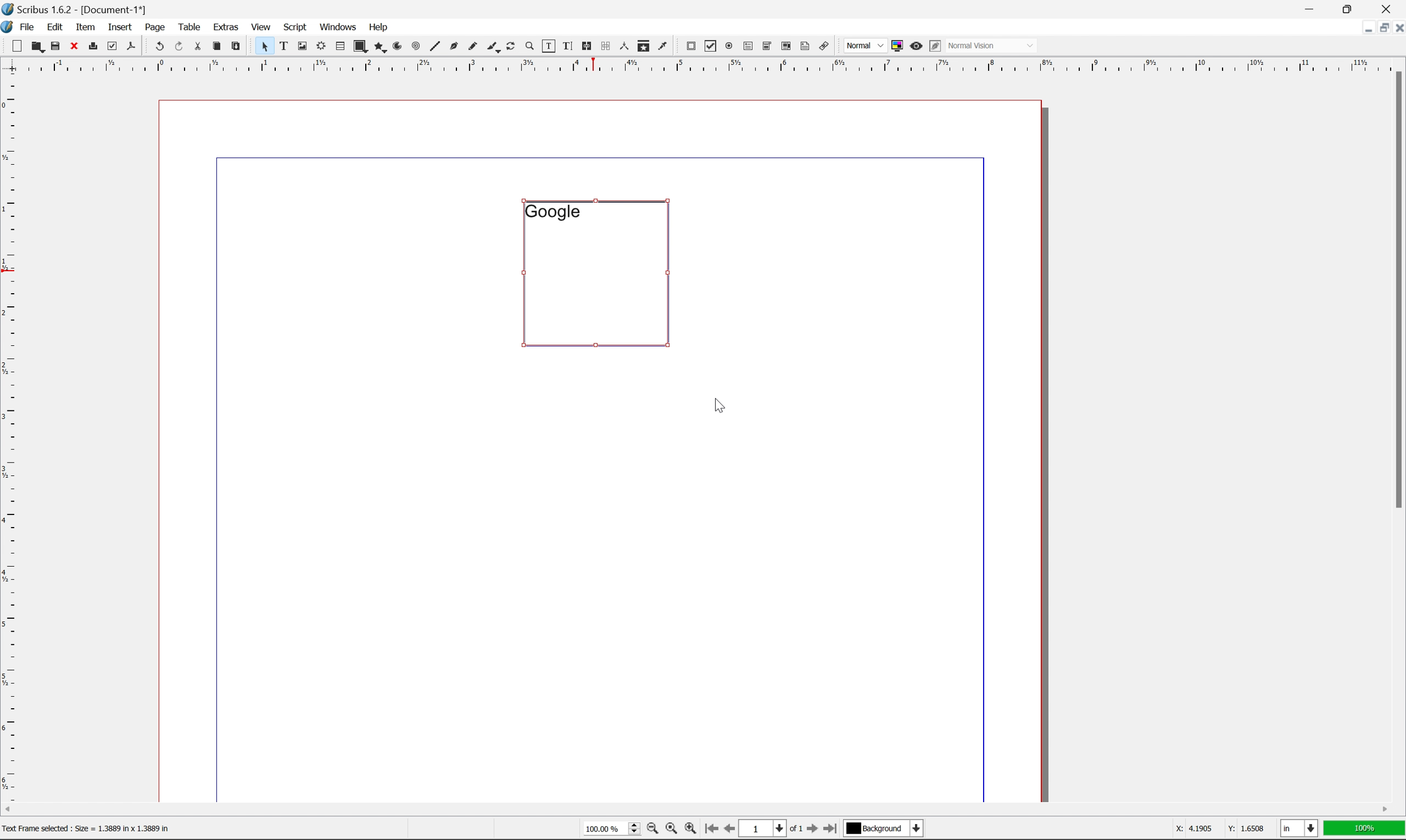 This screenshot has width=1406, height=840. I want to click on copy item properties, so click(644, 46).